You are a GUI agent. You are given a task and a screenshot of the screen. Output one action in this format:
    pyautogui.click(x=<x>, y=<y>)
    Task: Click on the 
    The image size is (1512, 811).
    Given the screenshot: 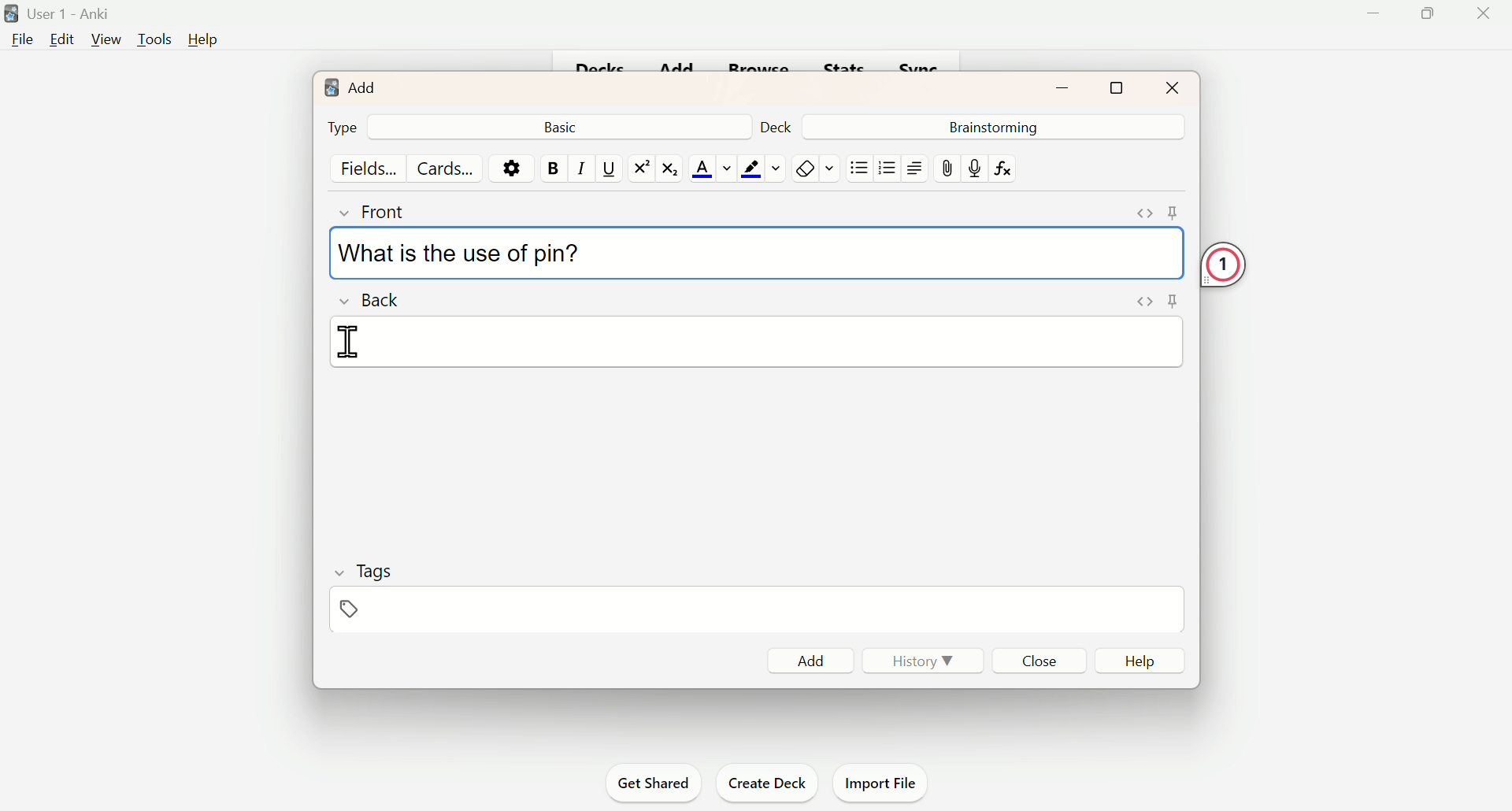 What is the action you would take?
    pyautogui.click(x=642, y=167)
    